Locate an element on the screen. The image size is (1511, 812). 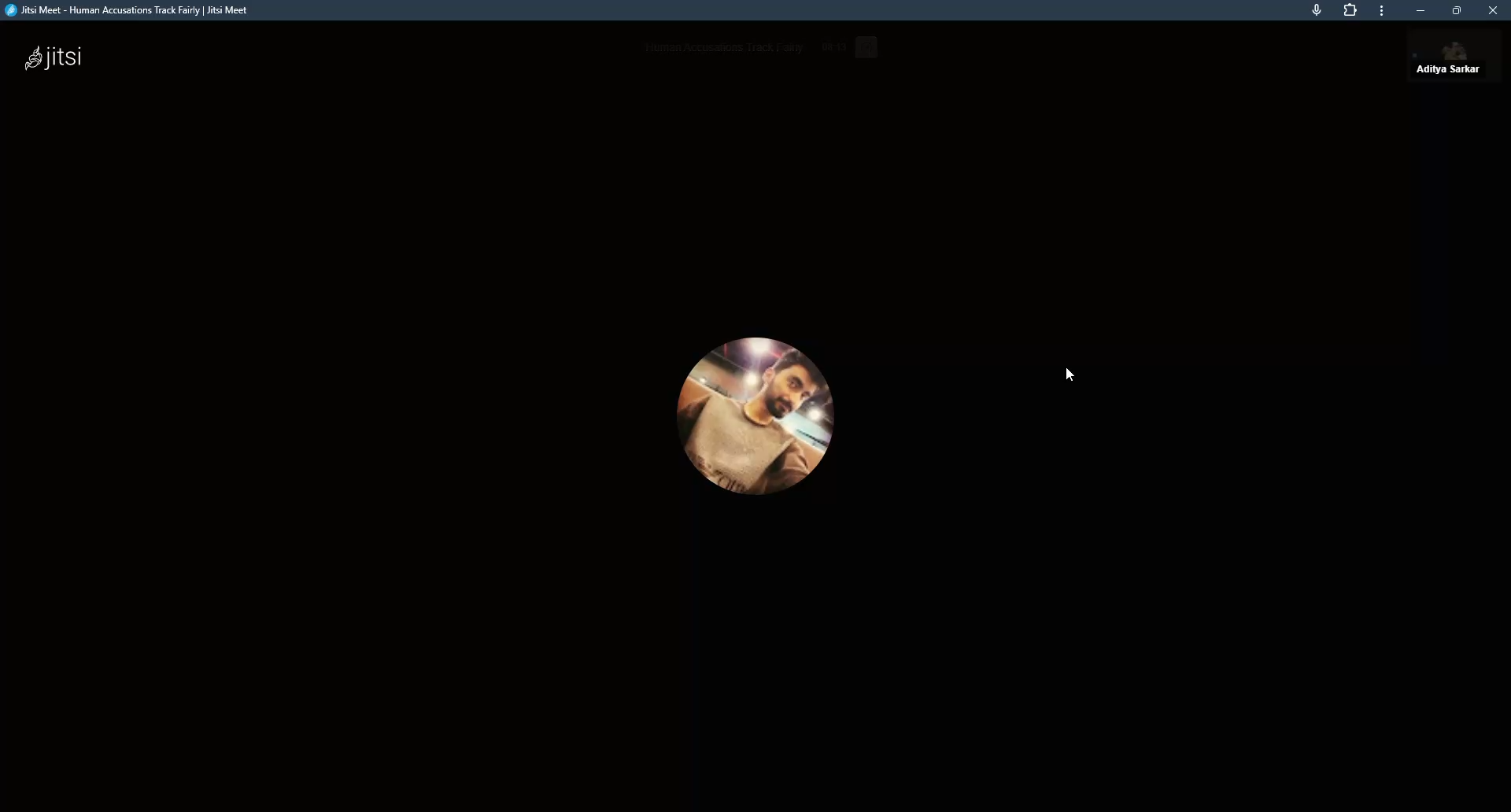
extensions is located at coordinates (1350, 10).